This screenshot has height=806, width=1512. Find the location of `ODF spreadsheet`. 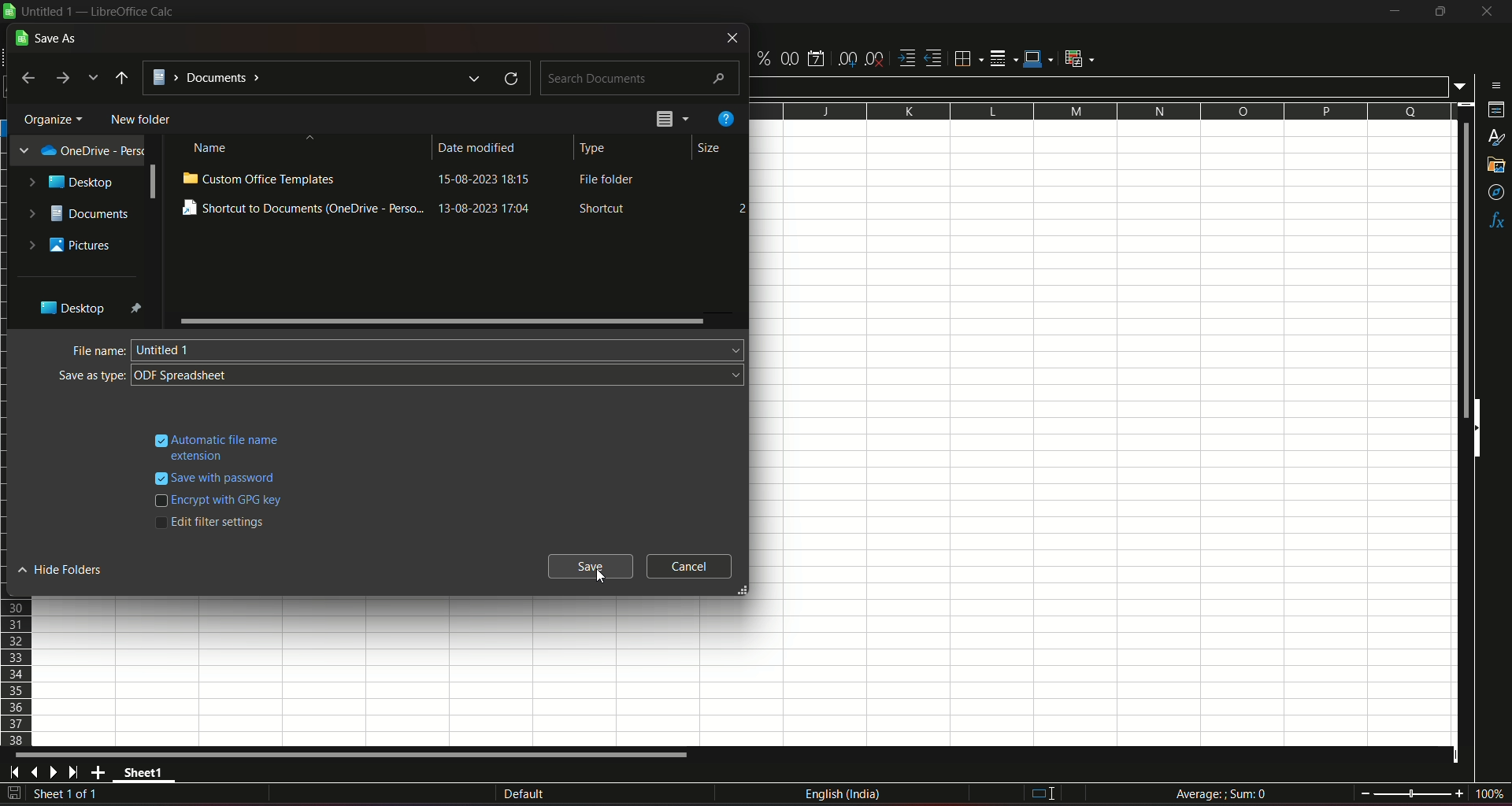

ODF spreadsheet is located at coordinates (441, 375).